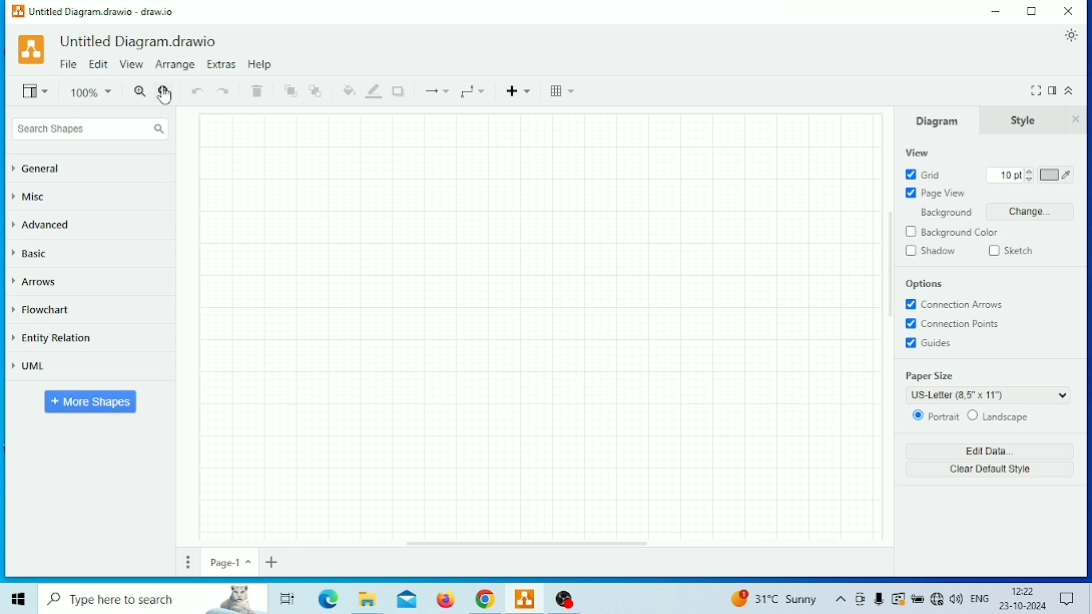 This screenshot has width=1092, height=614. I want to click on Insert, so click(521, 89).